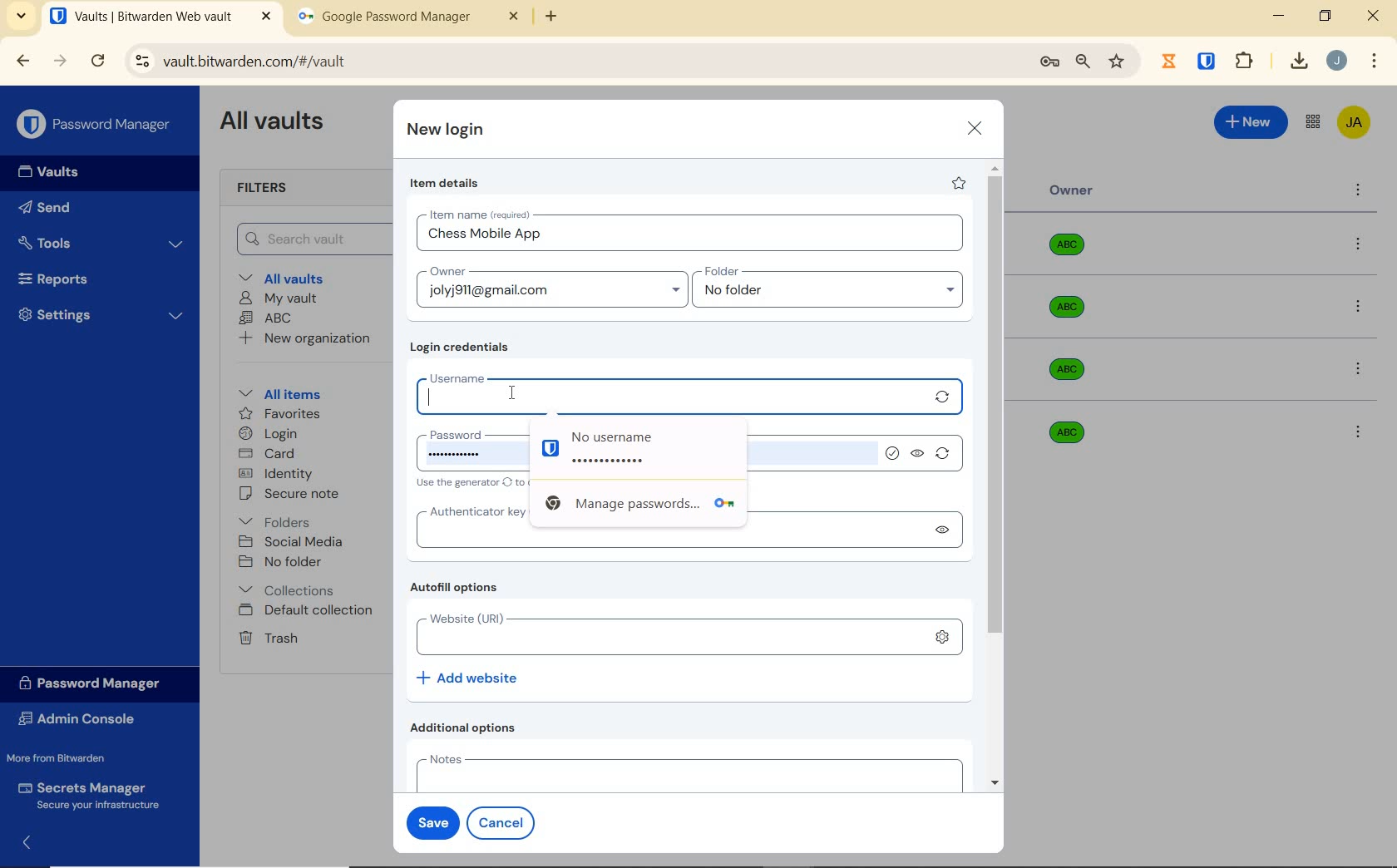 Image resolution: width=1397 pixels, height=868 pixels. I want to click on good, so click(896, 454).